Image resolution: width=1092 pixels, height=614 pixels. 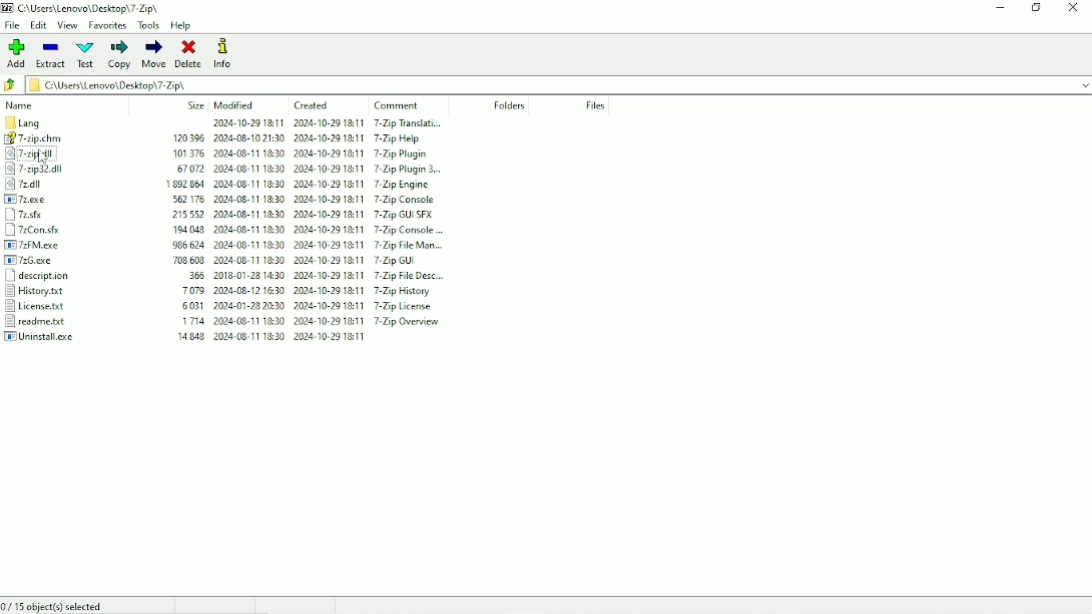 What do you see at coordinates (216, 139) in the screenshot?
I see `7-zip.chm` at bounding box center [216, 139].